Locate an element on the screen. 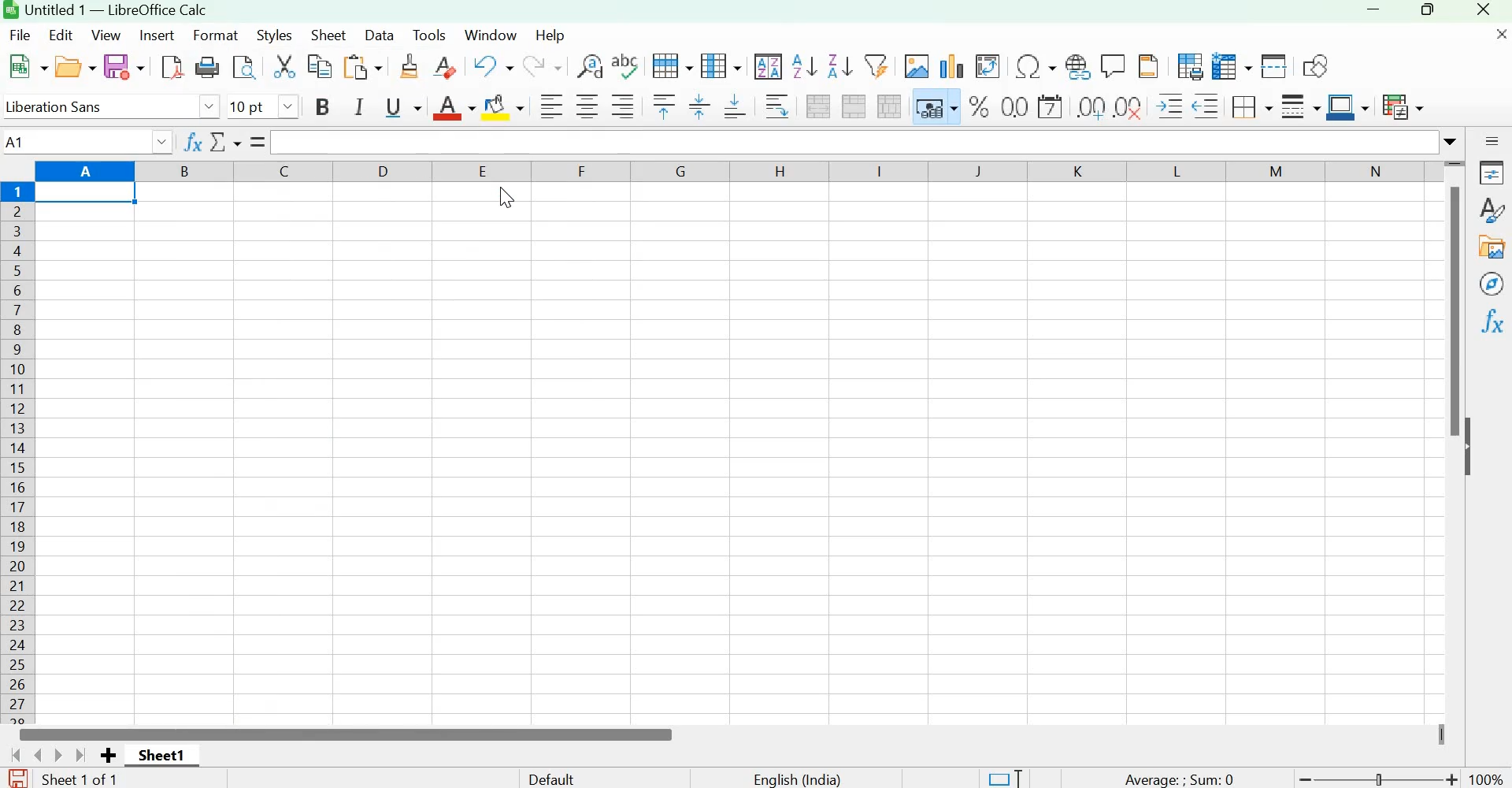 This screenshot has height=788, width=1512. Show draw functions is located at coordinates (1314, 64).